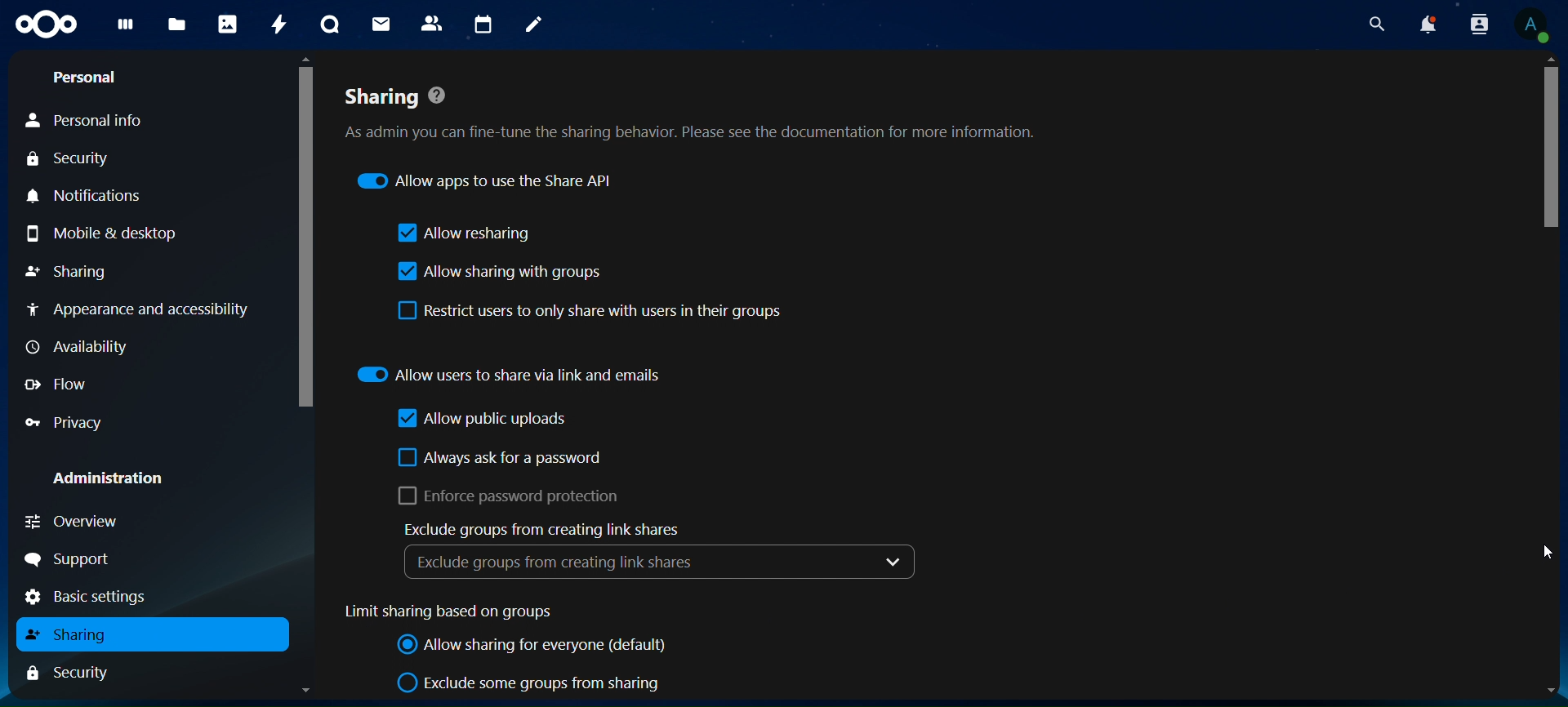 This screenshot has height=707, width=1568. I want to click on exclude groups from creating link shares, so click(657, 561).